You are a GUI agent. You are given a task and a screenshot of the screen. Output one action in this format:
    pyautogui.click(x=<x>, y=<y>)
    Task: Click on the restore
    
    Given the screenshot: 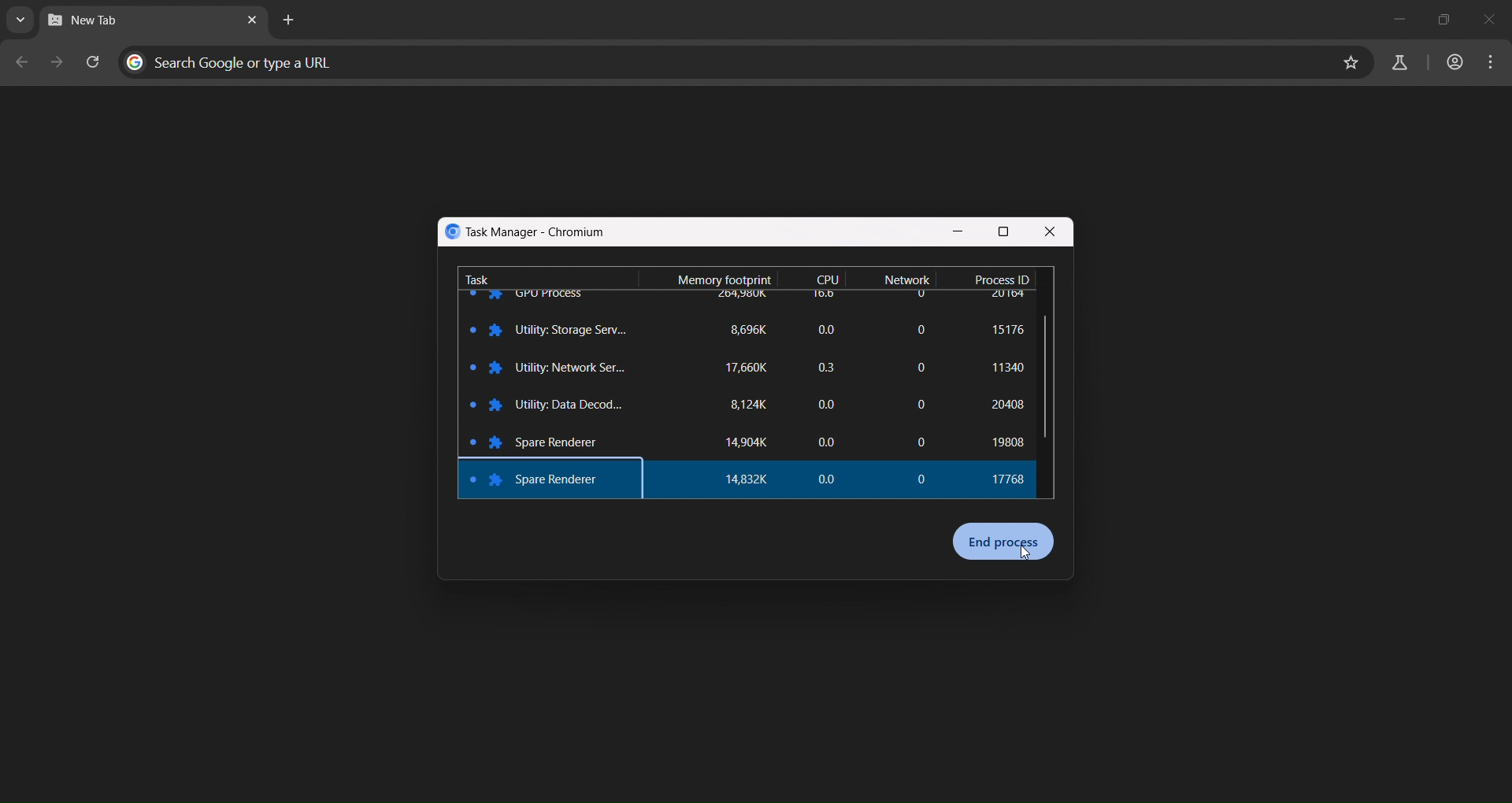 What is the action you would take?
    pyautogui.click(x=1006, y=231)
    